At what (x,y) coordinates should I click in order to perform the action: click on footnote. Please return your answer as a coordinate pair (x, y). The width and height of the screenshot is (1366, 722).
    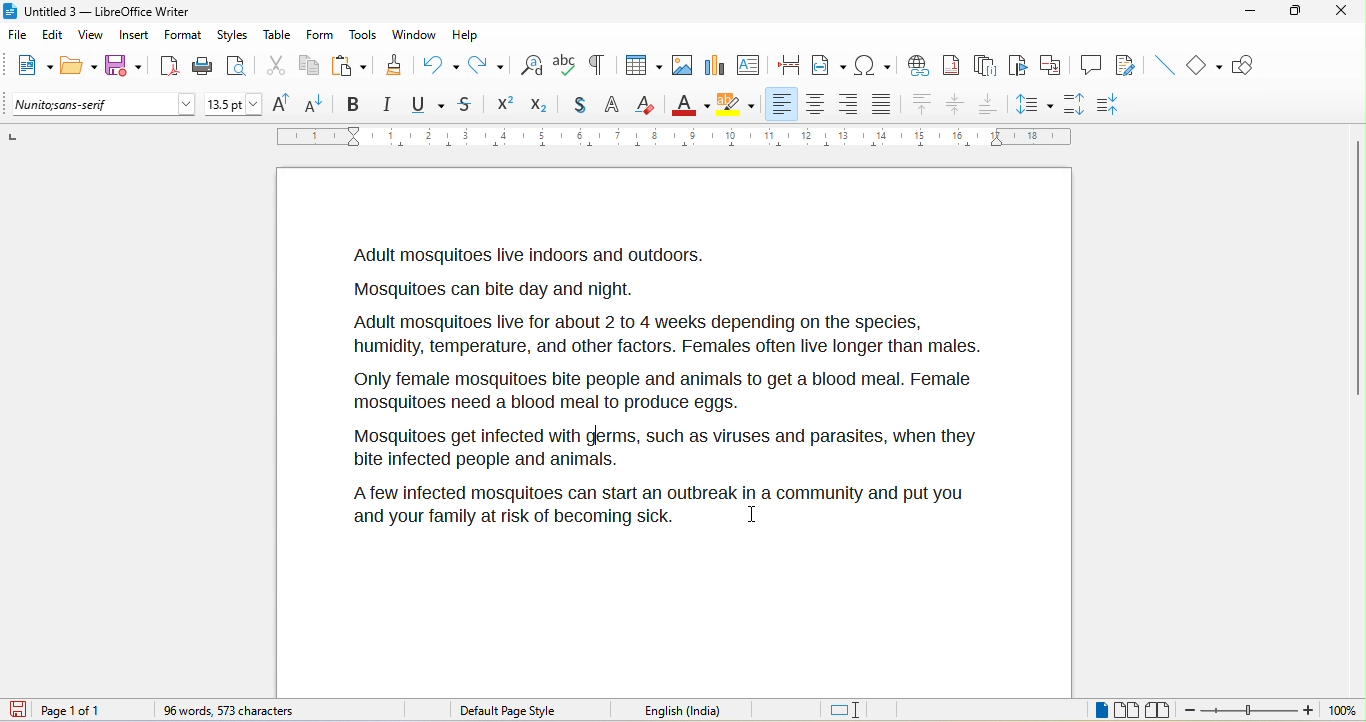
    Looking at the image, I should click on (955, 65).